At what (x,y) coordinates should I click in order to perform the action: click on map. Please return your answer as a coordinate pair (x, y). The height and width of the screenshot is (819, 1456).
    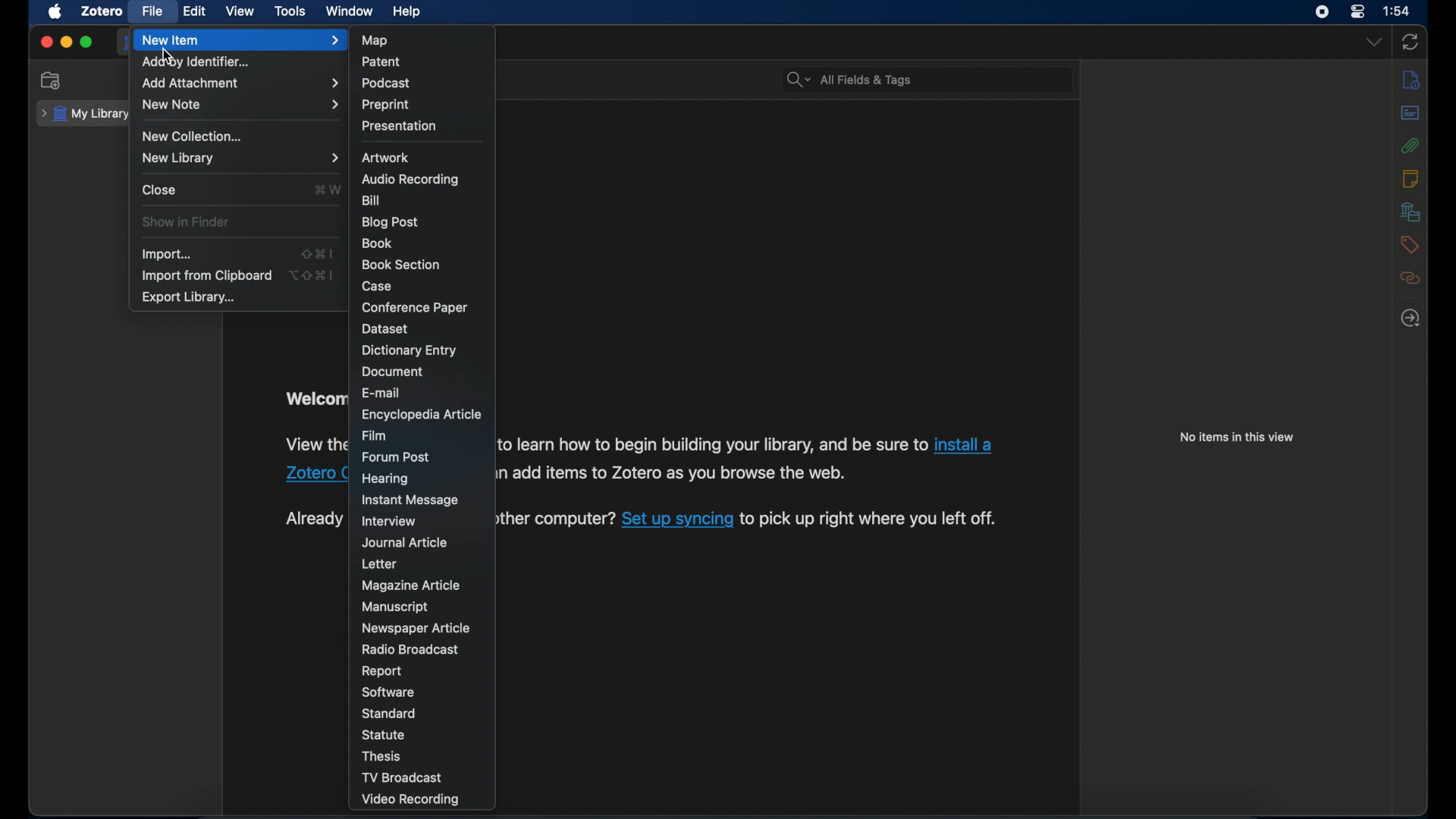
    Looking at the image, I should click on (376, 40).